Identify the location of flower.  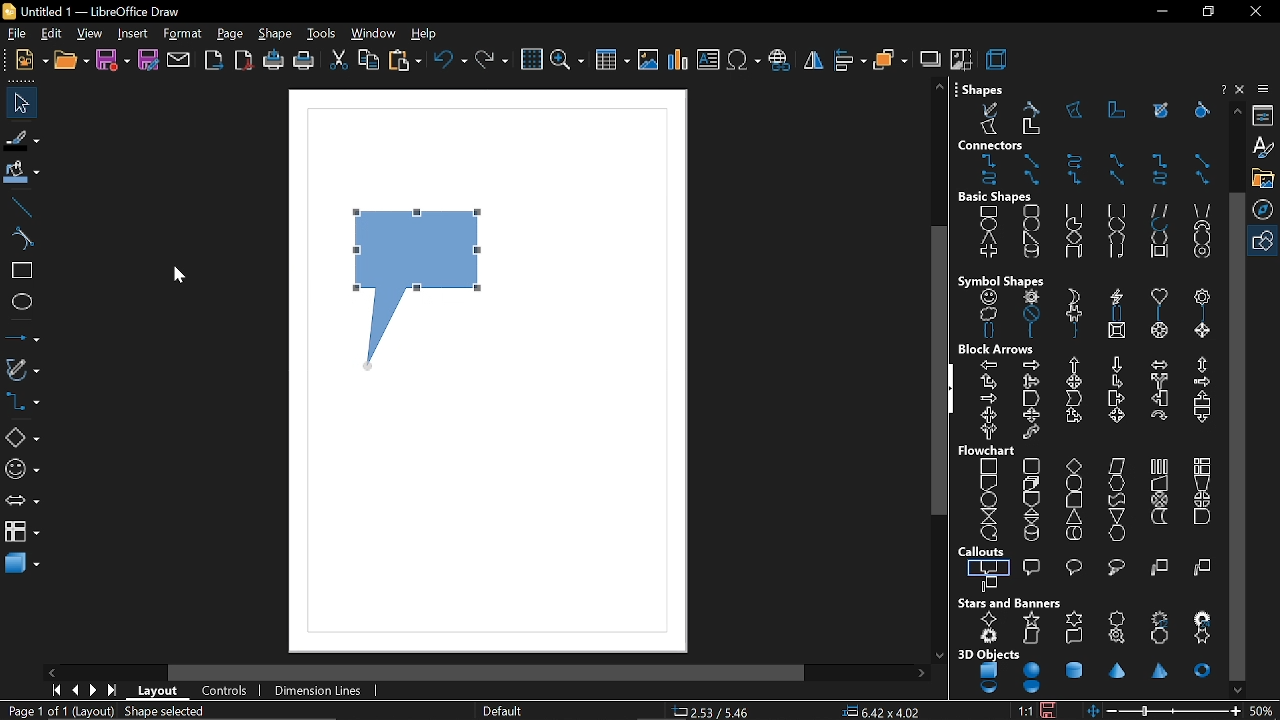
(1201, 296).